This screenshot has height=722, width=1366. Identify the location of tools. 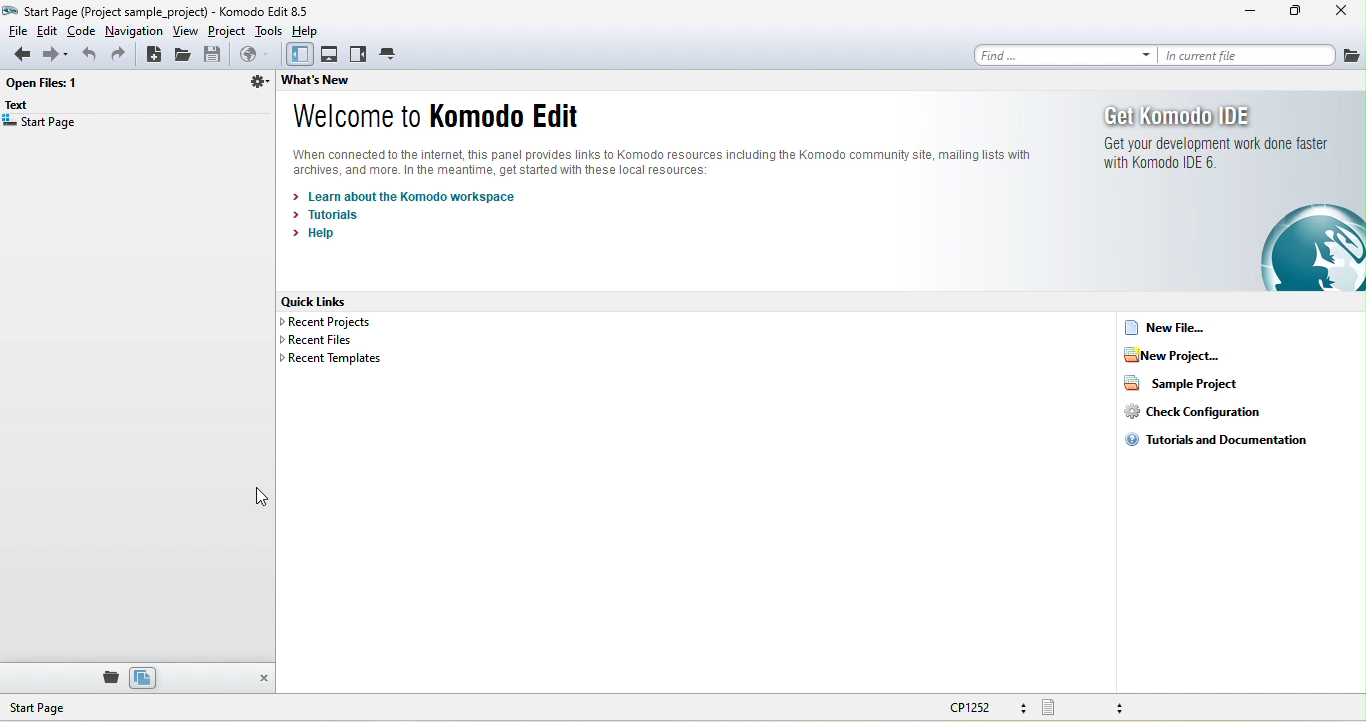
(269, 30).